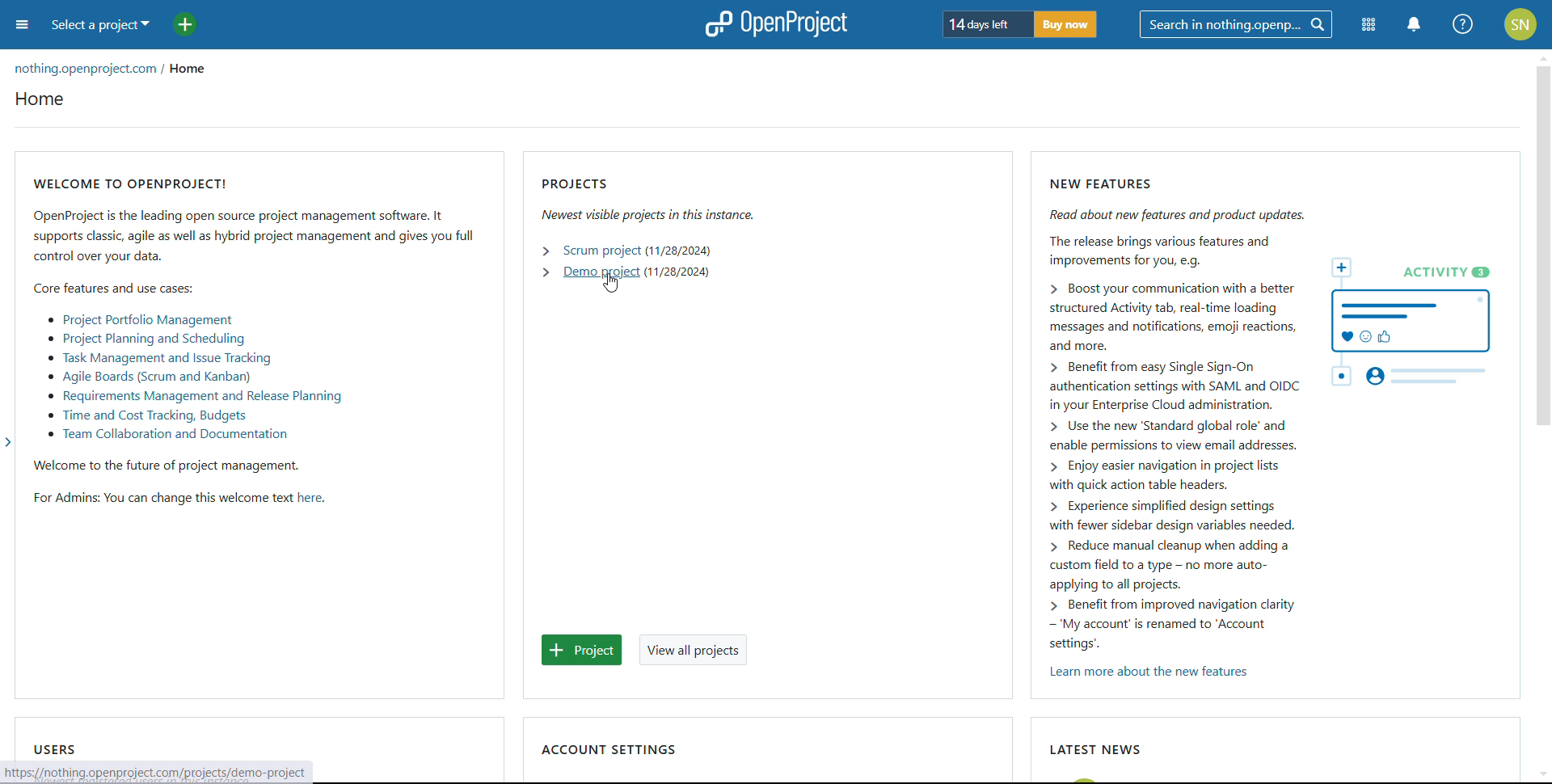 The width and height of the screenshot is (1552, 784). I want to click on latest news, so click(1094, 748).